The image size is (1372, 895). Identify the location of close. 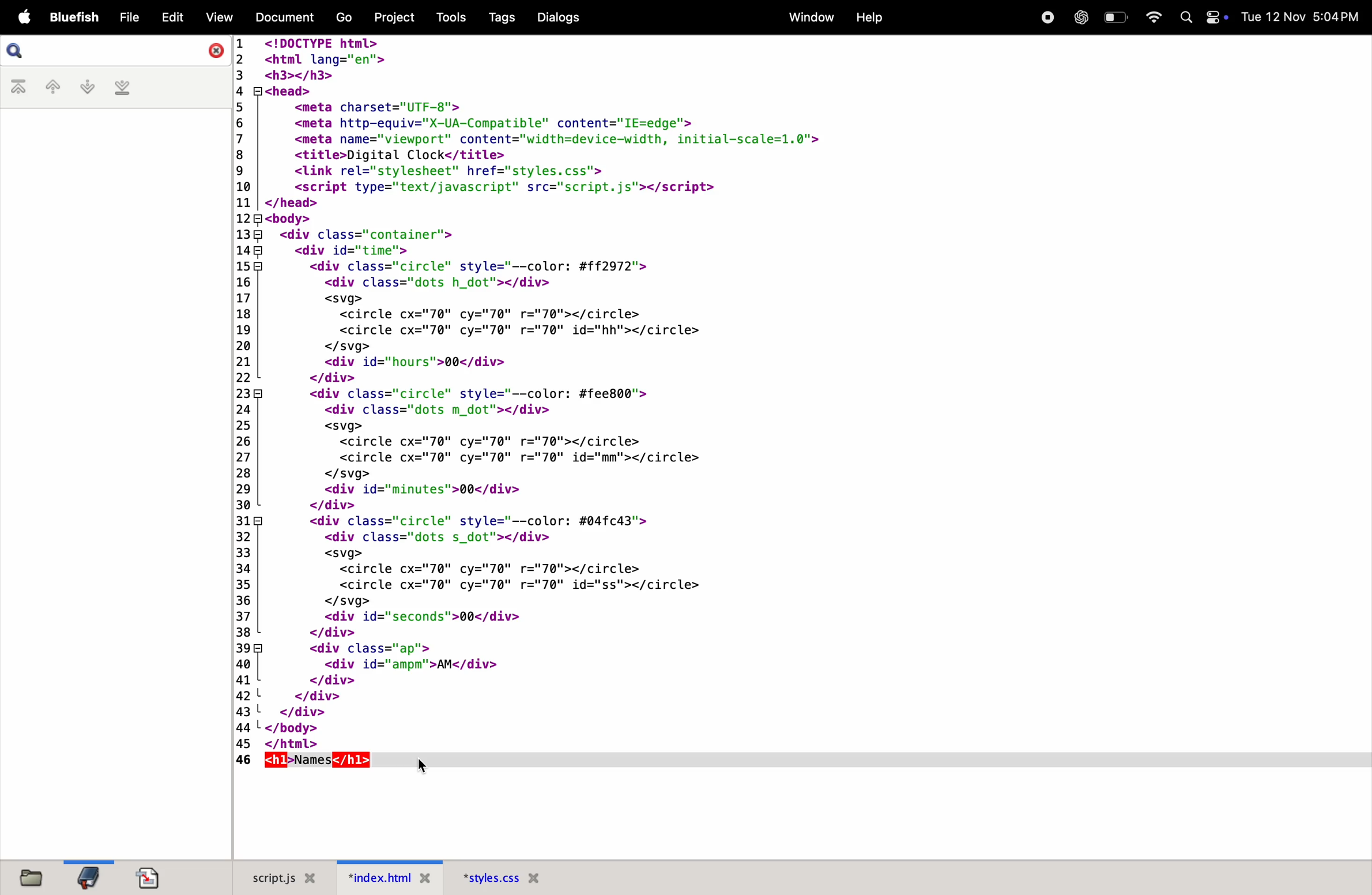
(214, 51).